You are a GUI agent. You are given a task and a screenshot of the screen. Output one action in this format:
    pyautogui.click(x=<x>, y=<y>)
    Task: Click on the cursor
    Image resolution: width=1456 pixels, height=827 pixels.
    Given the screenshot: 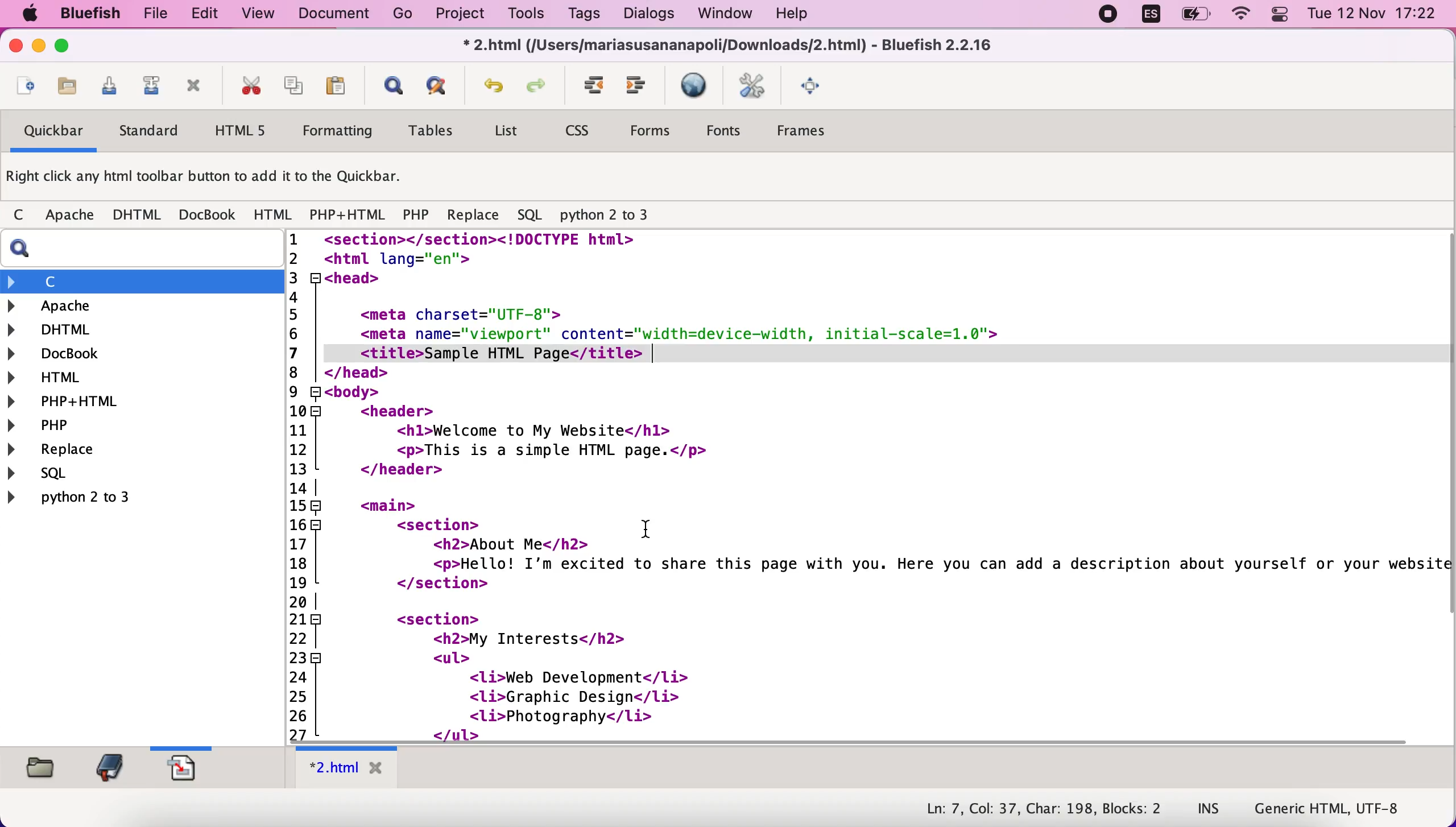 What is the action you would take?
    pyautogui.click(x=649, y=531)
    